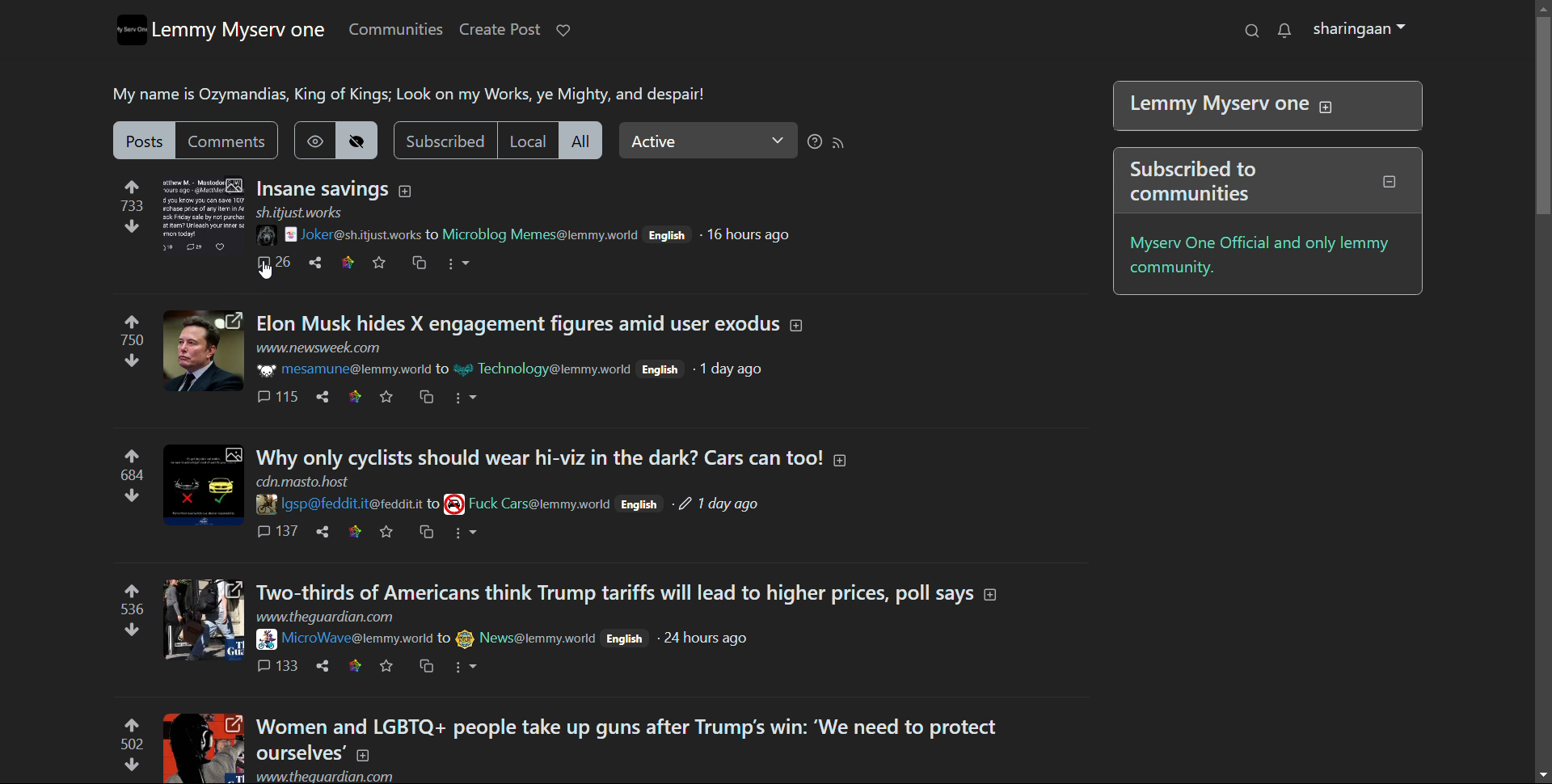 This screenshot has width=1552, height=784. Describe the element at coordinates (707, 639) in the screenshot. I see `time of post` at that location.